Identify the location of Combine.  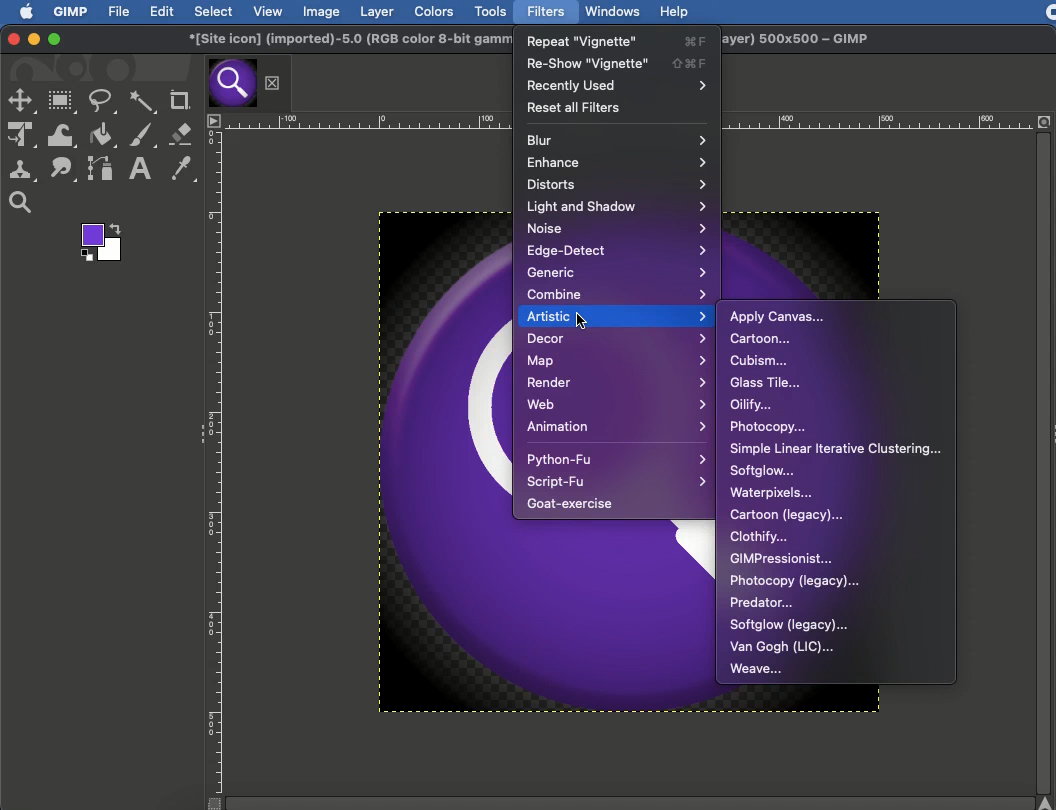
(618, 294).